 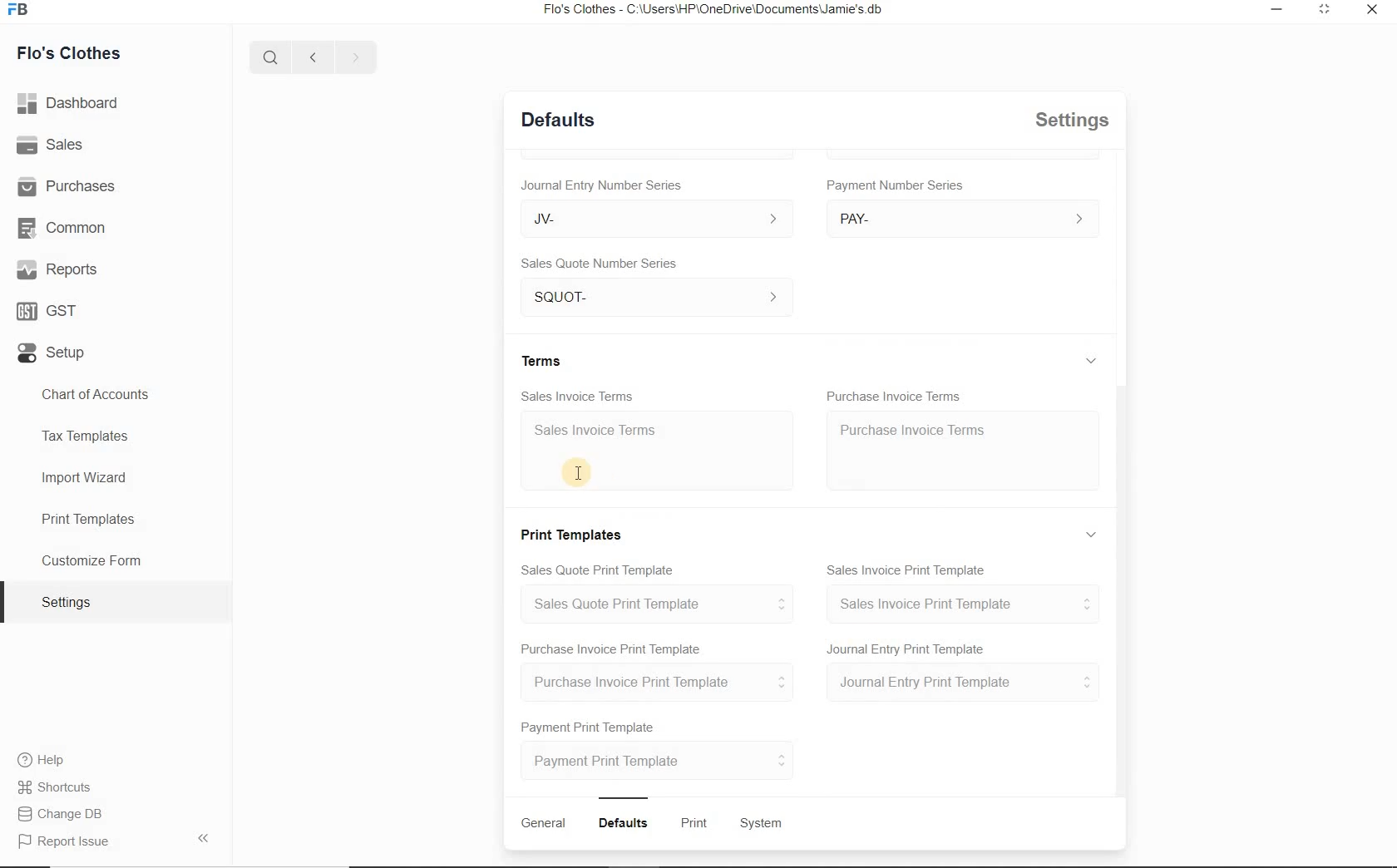 I want to click on Close, so click(x=1372, y=8).